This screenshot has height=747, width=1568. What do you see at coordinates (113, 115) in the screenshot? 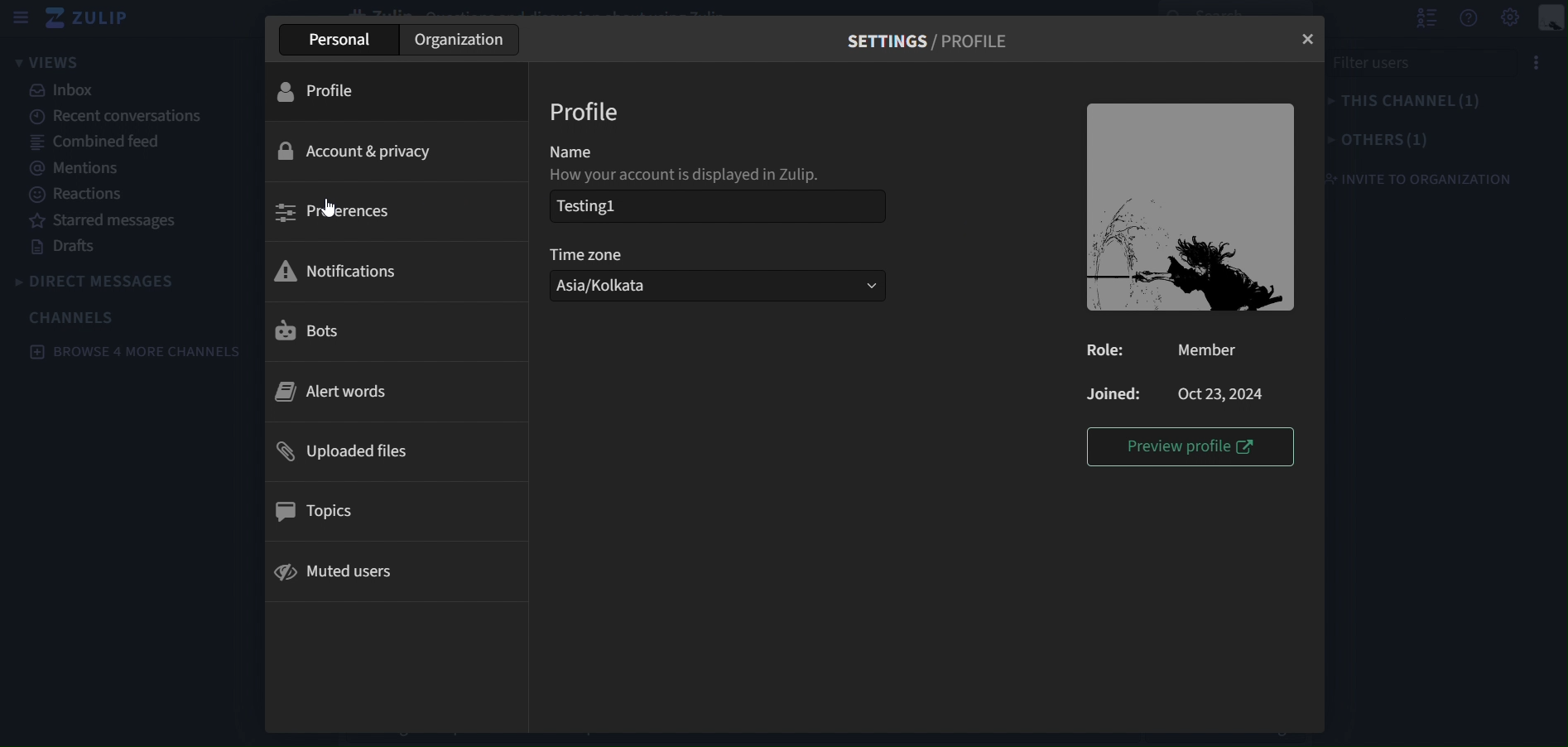
I see `recent conversations` at bounding box center [113, 115].